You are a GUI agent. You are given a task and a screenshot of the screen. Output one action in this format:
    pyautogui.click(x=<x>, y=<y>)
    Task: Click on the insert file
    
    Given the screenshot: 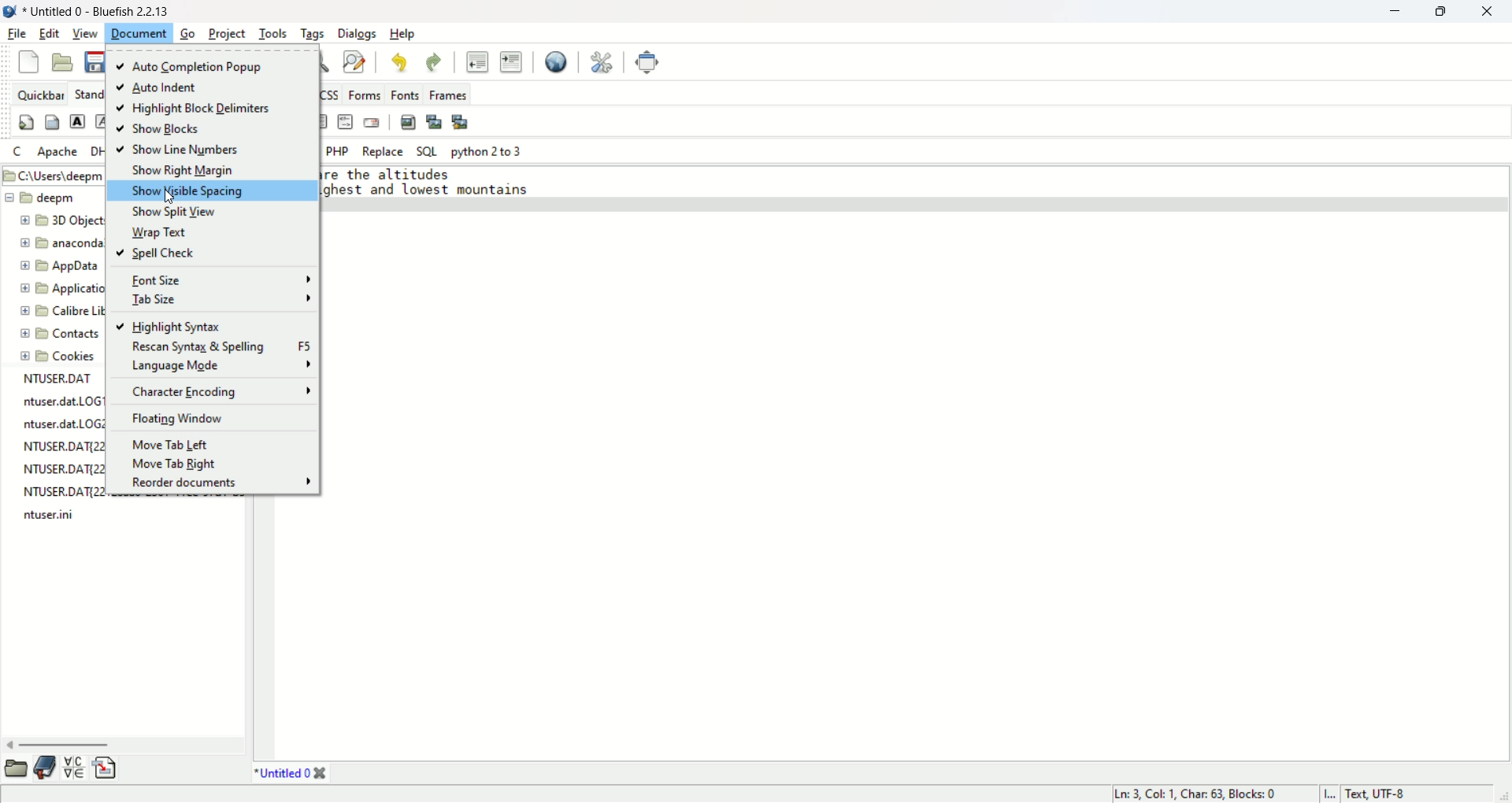 What is the action you would take?
    pyautogui.click(x=109, y=768)
    